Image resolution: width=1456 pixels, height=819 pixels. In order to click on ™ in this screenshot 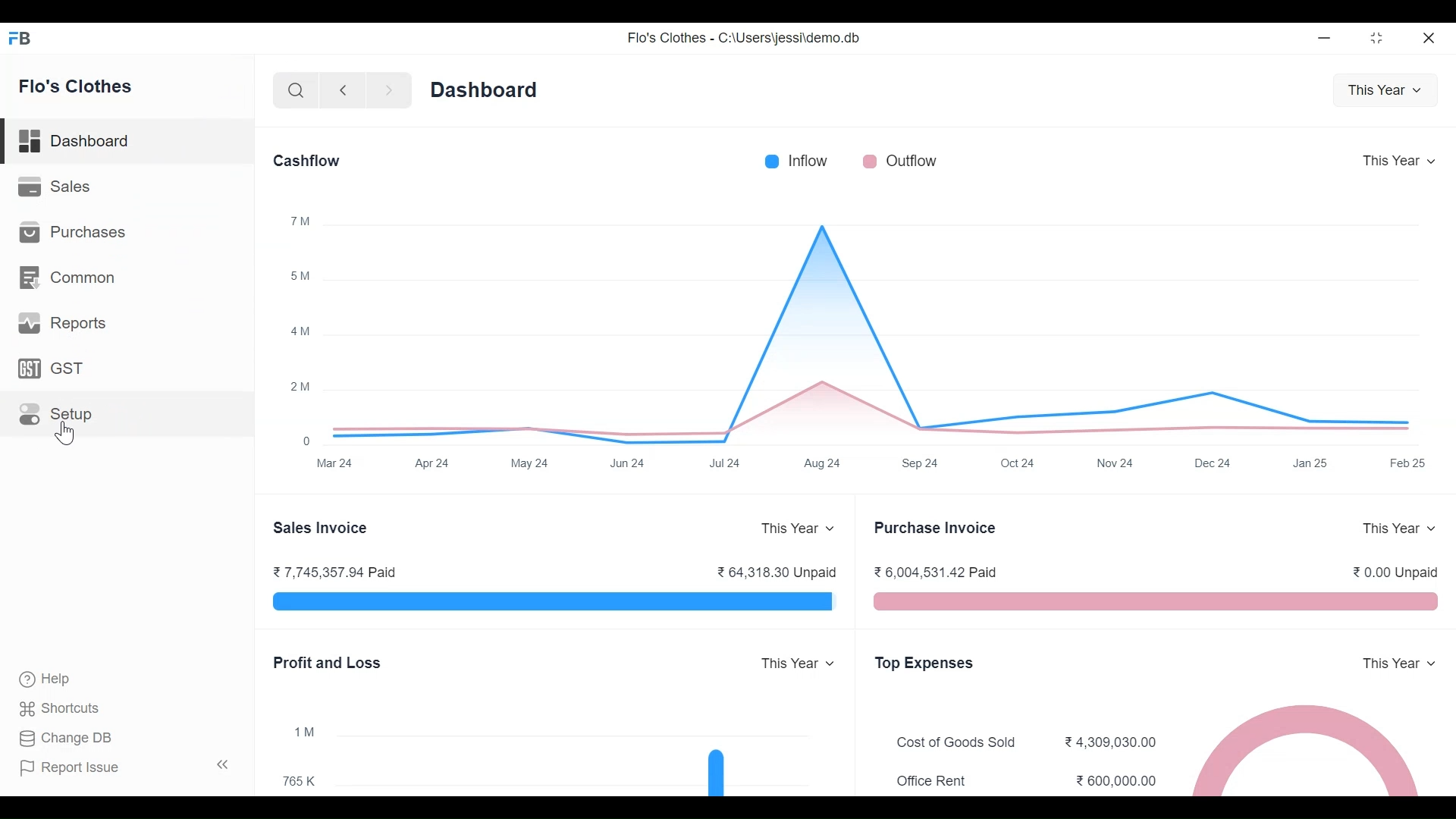, I will do `click(303, 221)`.